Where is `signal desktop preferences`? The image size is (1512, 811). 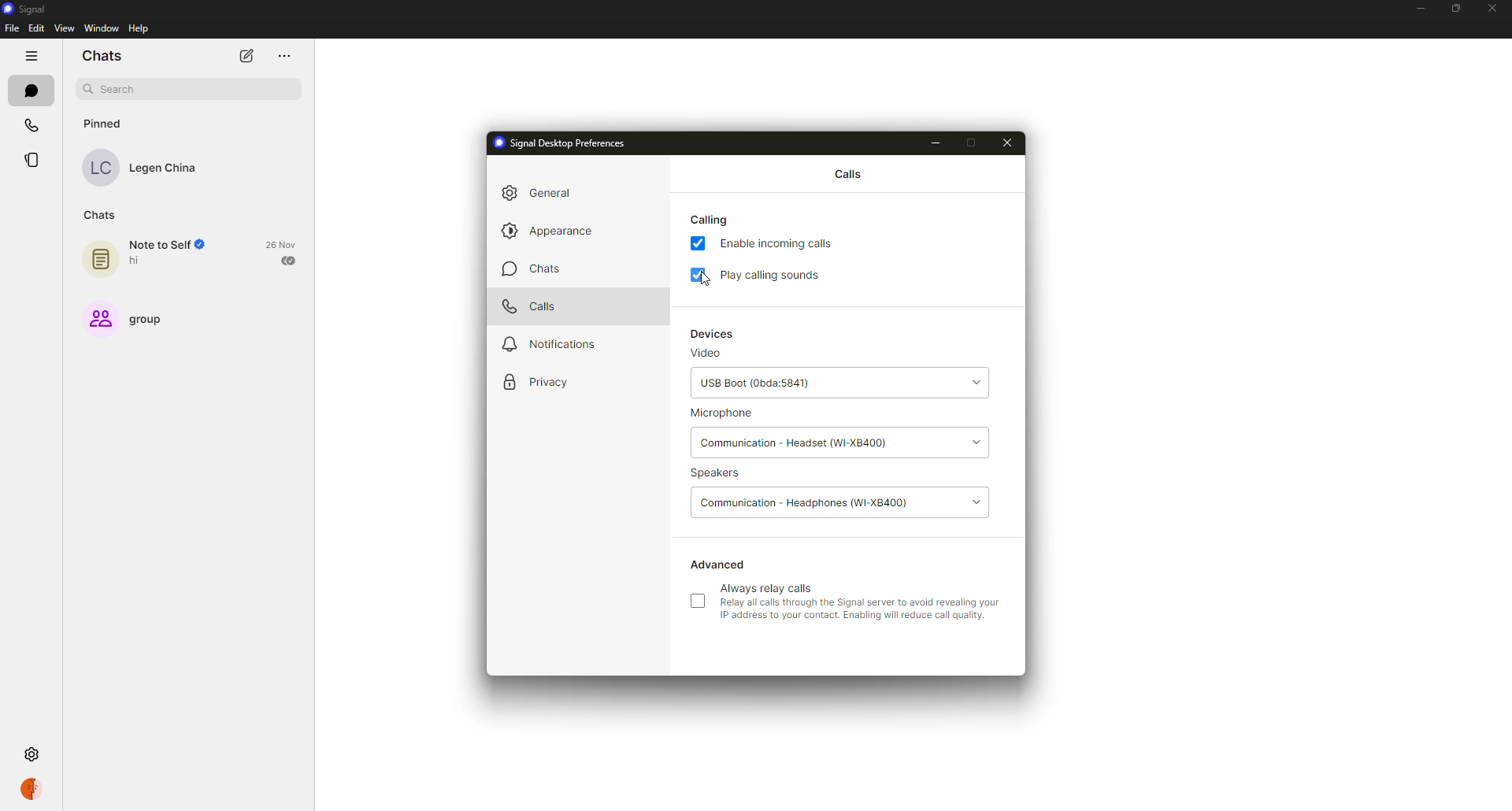 signal desktop preferences is located at coordinates (560, 144).